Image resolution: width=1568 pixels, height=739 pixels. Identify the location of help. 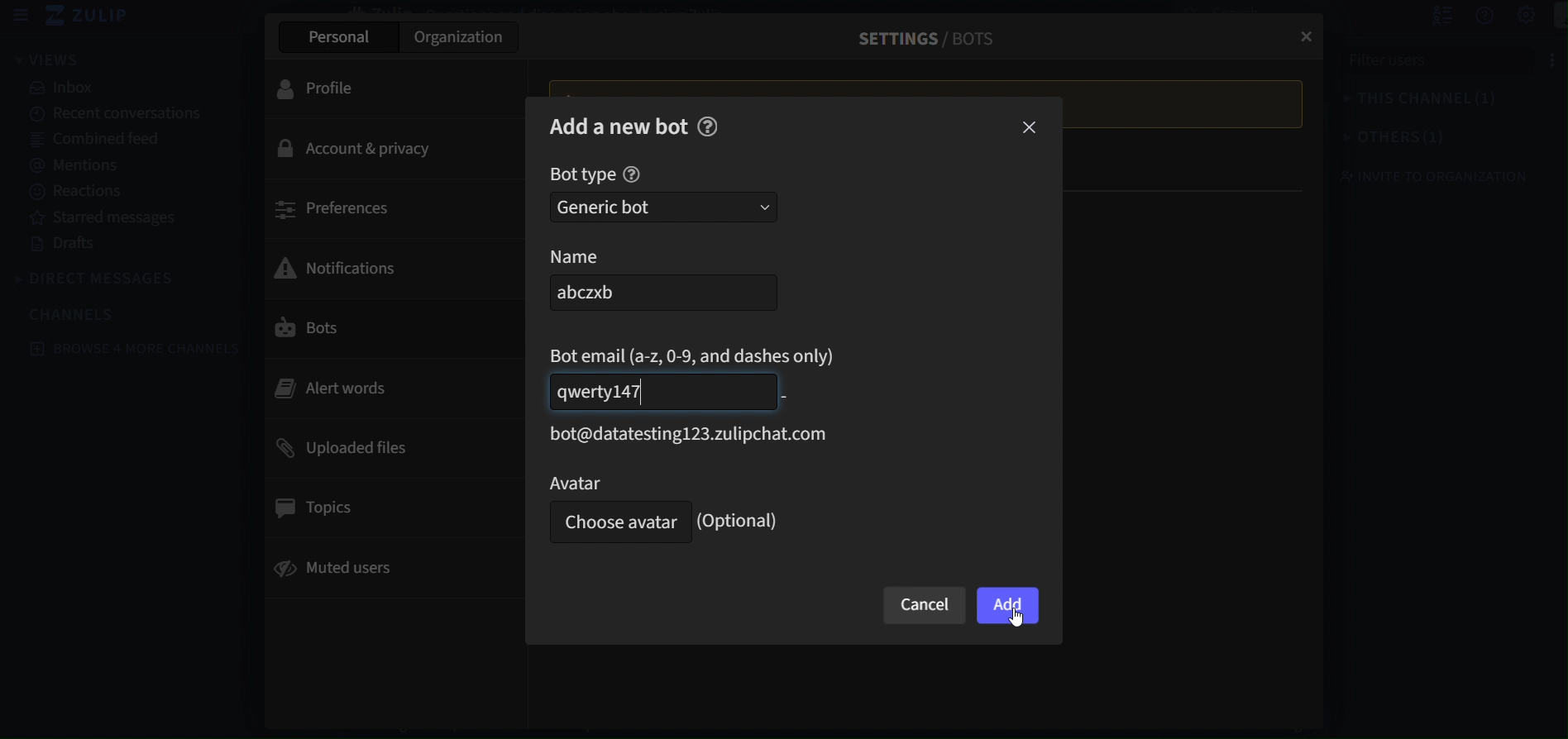
(708, 126).